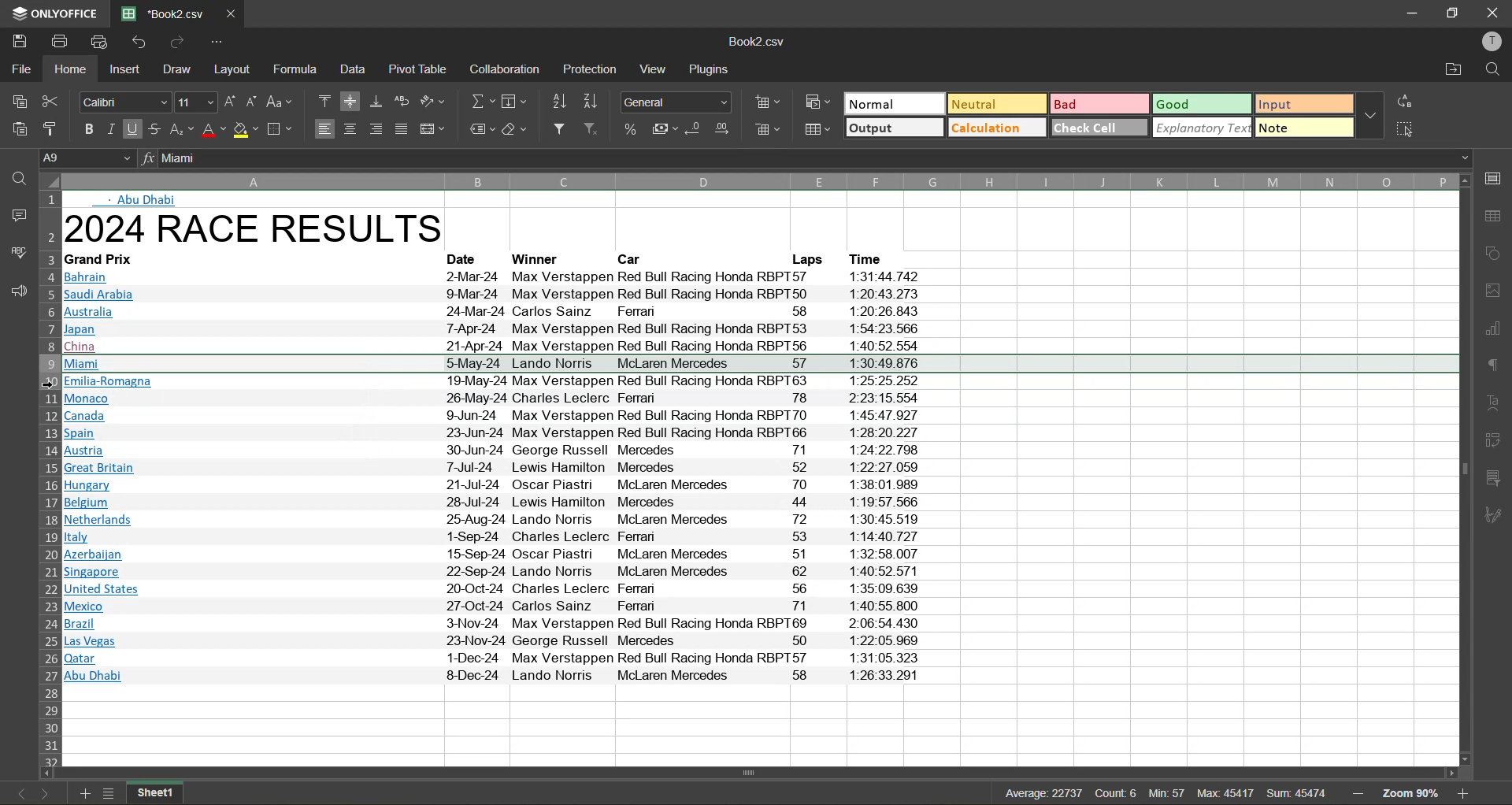 This screenshot has height=805, width=1512. I want to click on decrease decimal, so click(695, 131).